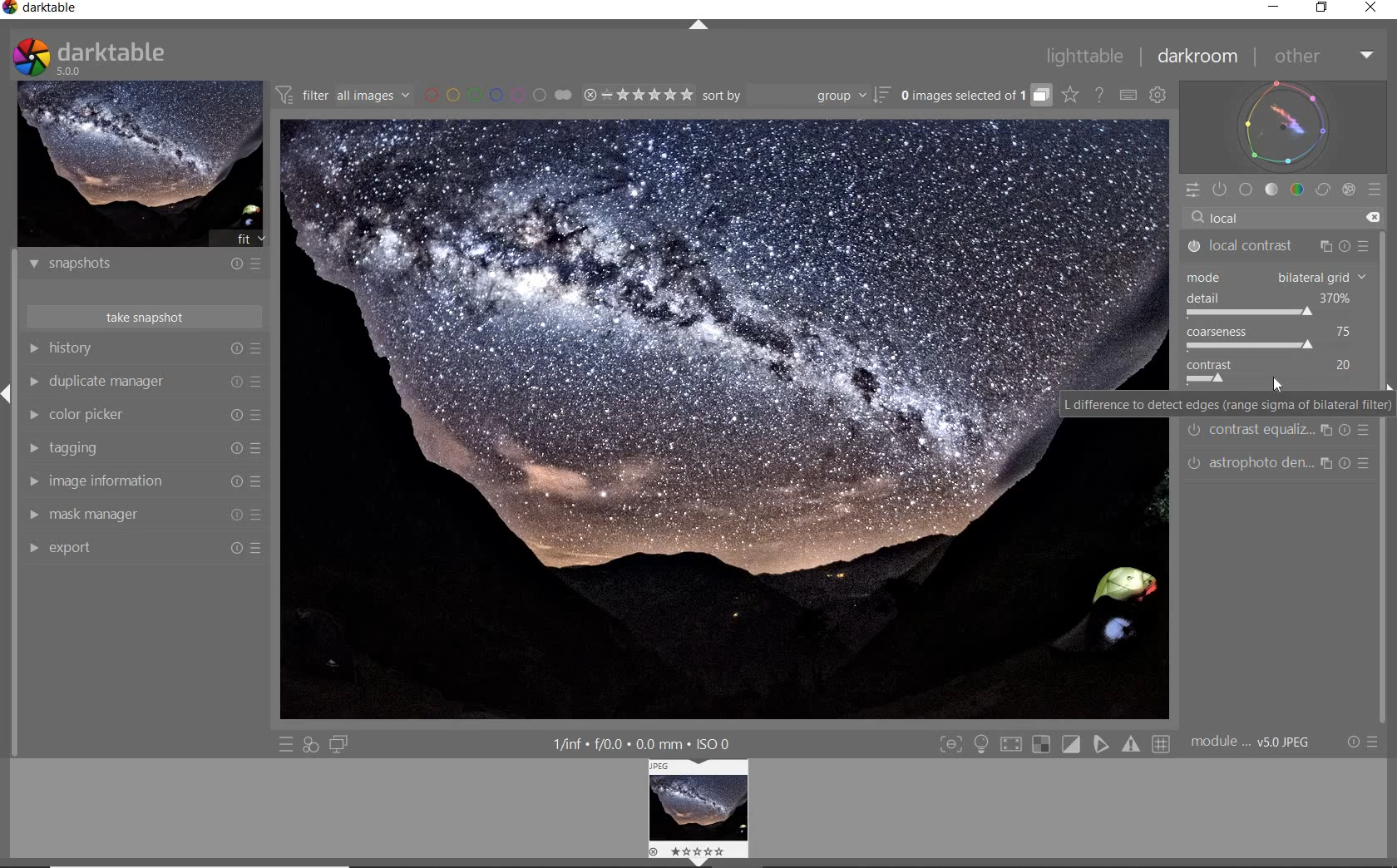 The image size is (1397, 868). I want to click on Settings, so click(1352, 742).